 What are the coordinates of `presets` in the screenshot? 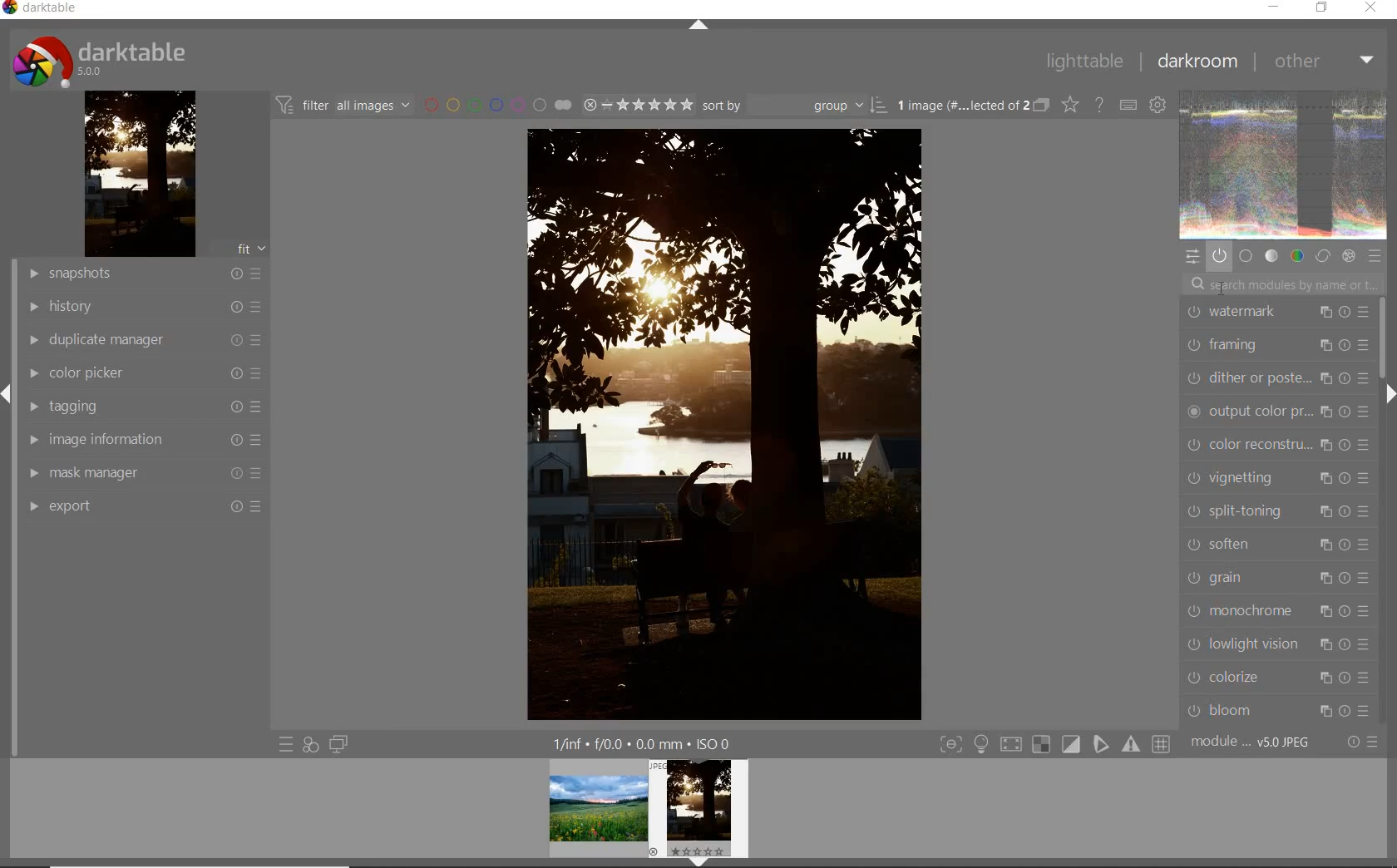 It's located at (1375, 255).